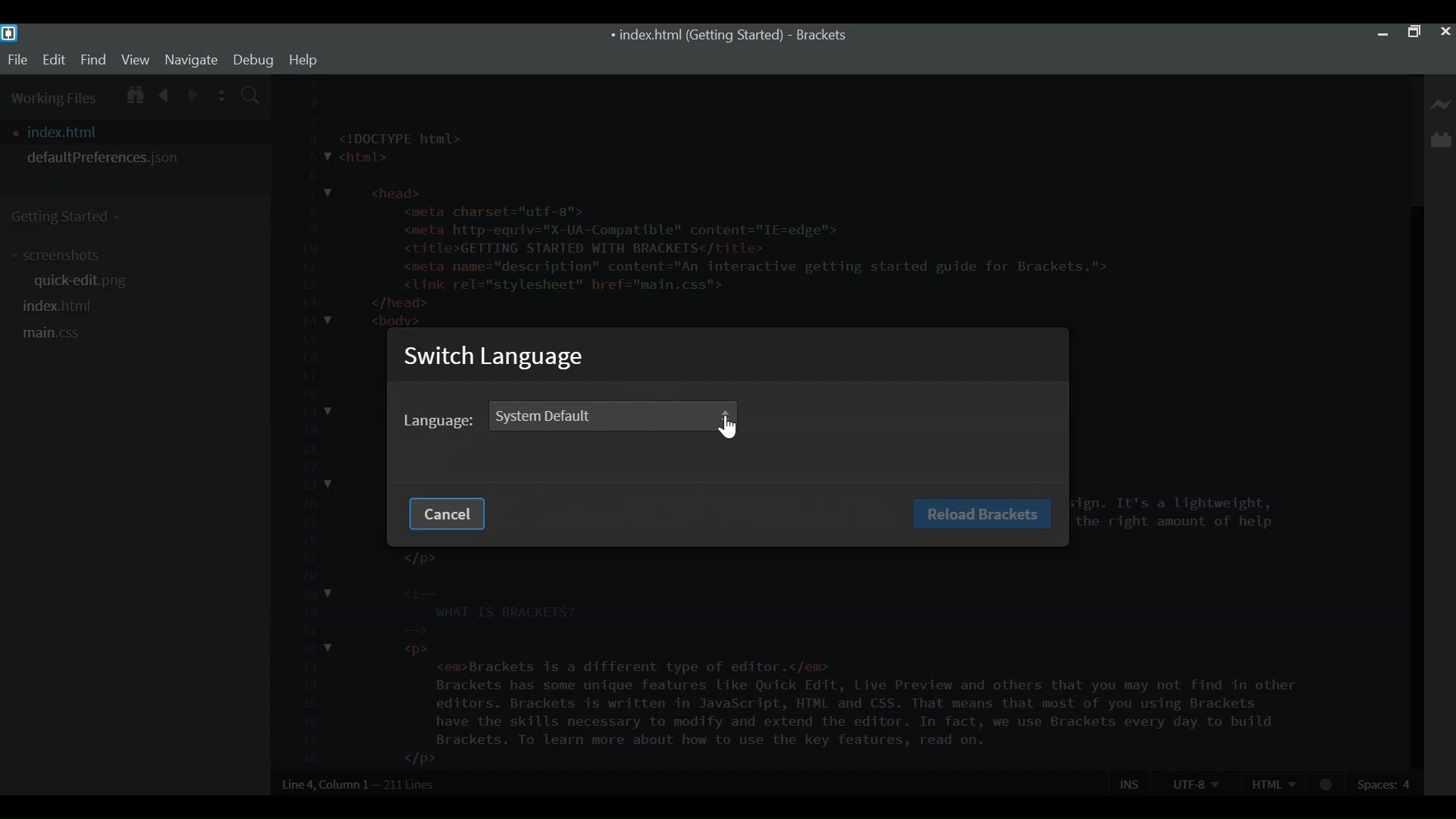  I want to click on Spaces: 4, so click(1386, 783).